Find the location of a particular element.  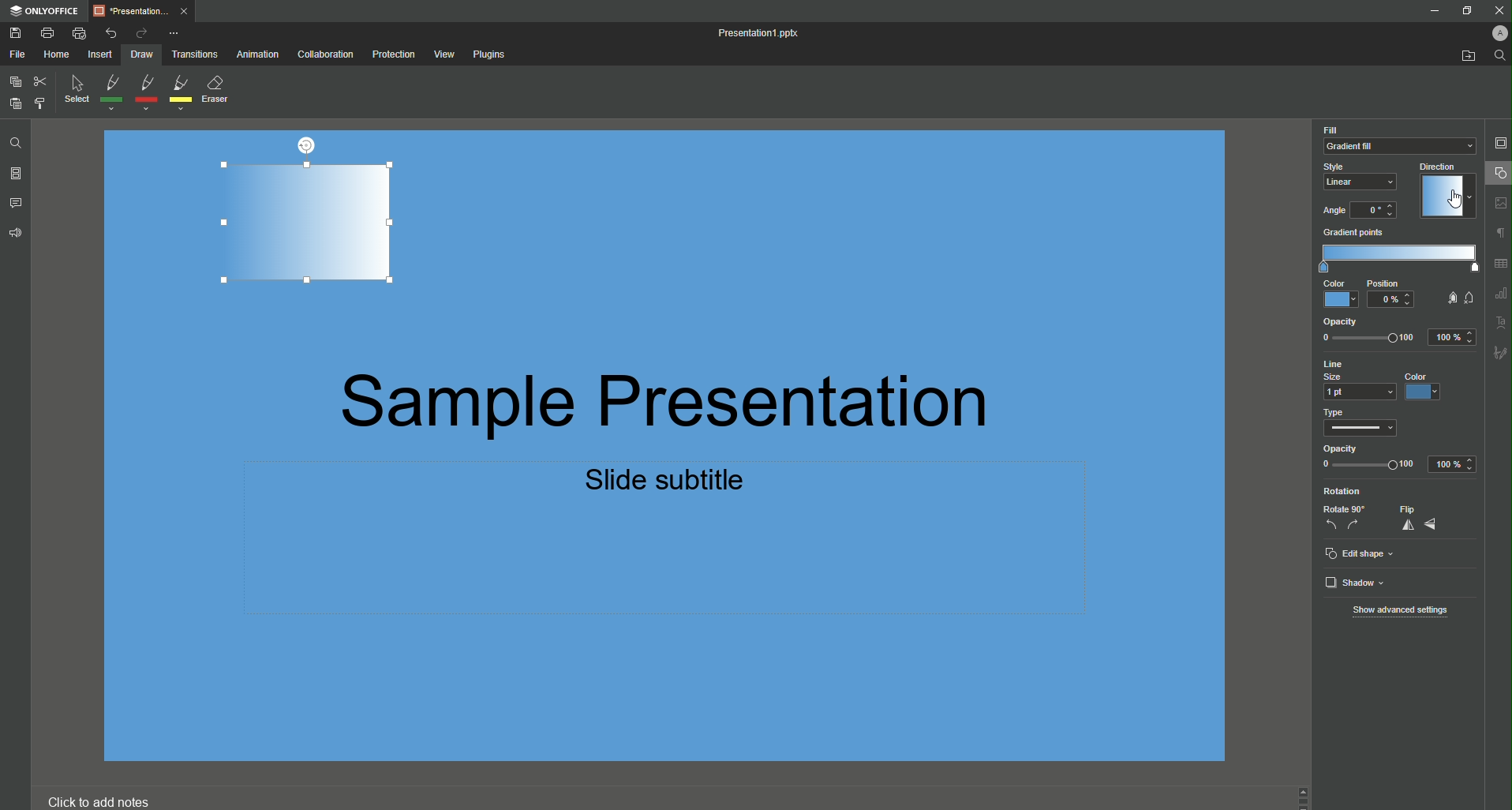

More Options is located at coordinates (177, 32).